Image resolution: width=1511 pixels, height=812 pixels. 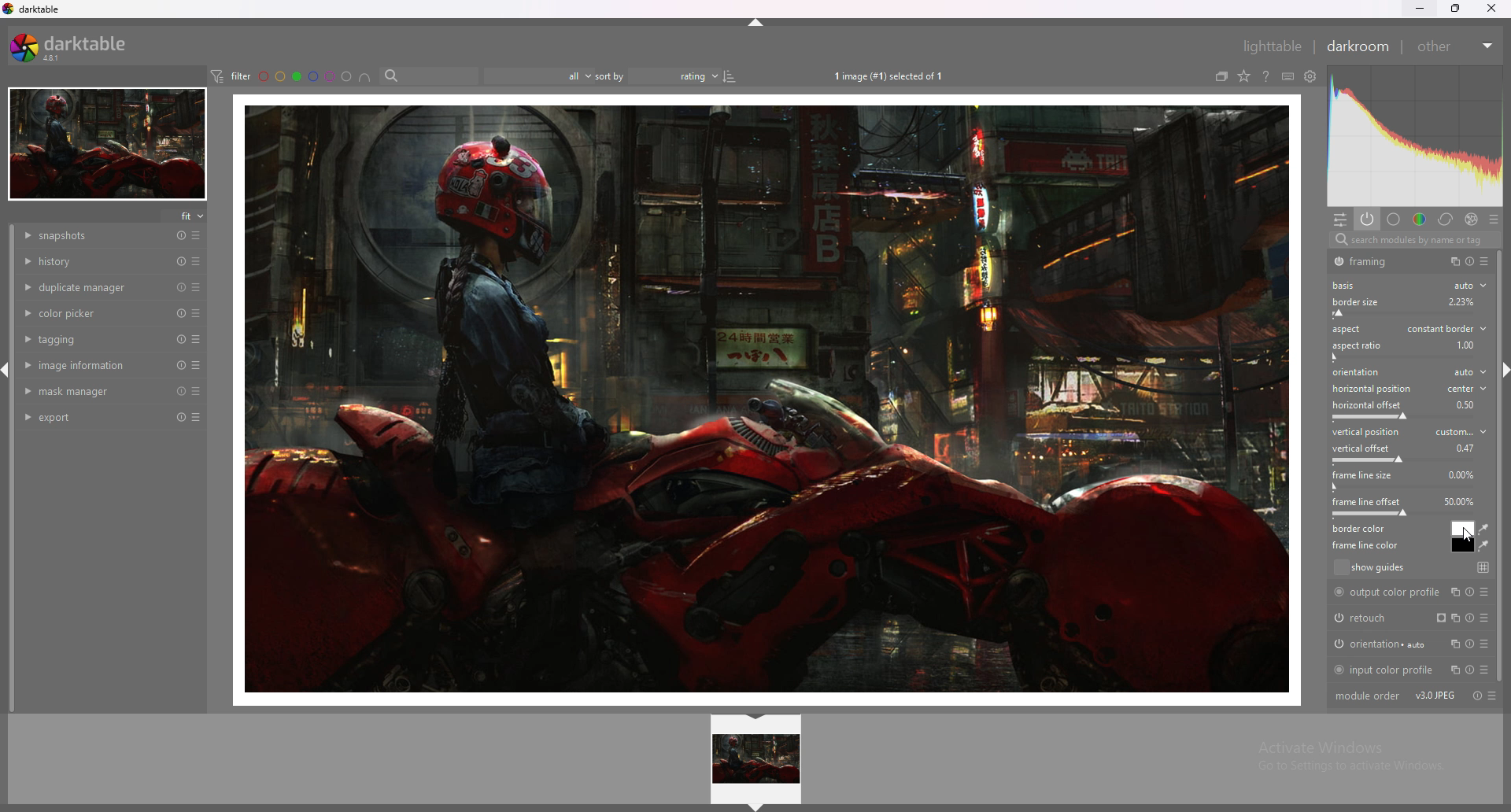 I want to click on frame line offset, so click(x=1367, y=501).